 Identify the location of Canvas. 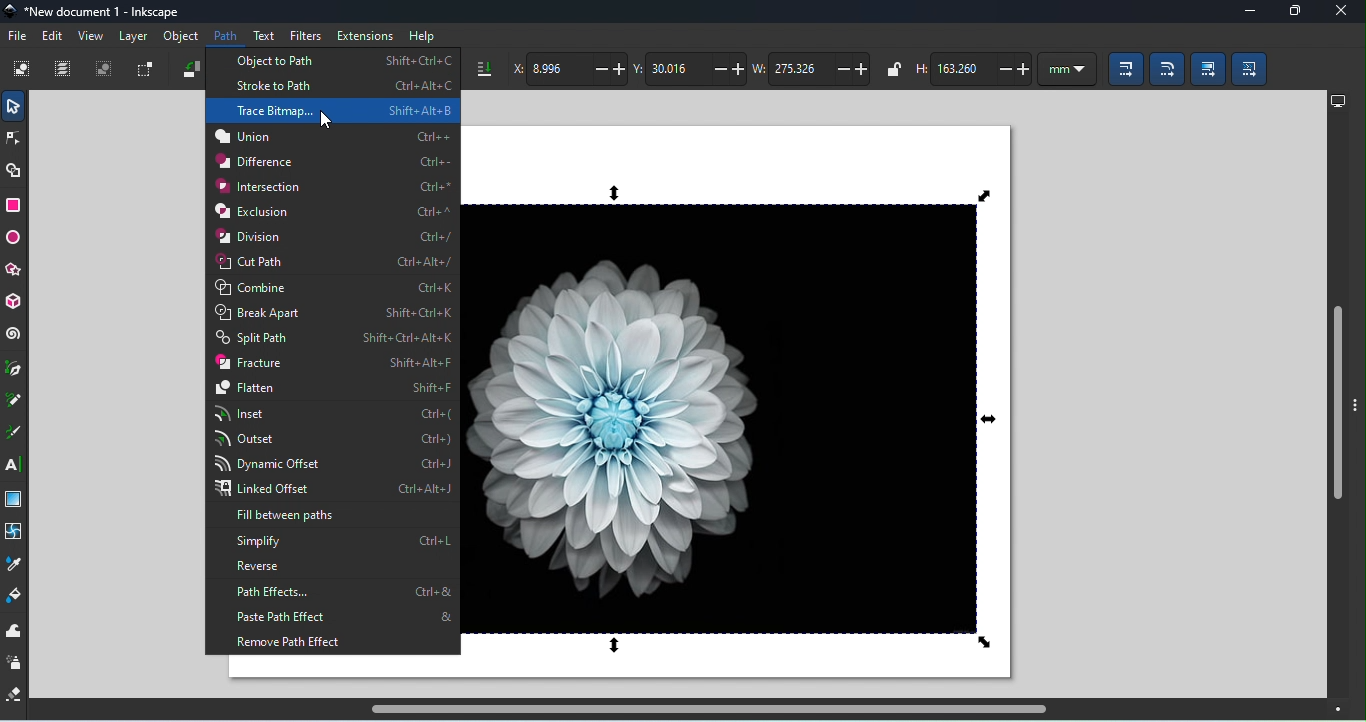
(760, 402).